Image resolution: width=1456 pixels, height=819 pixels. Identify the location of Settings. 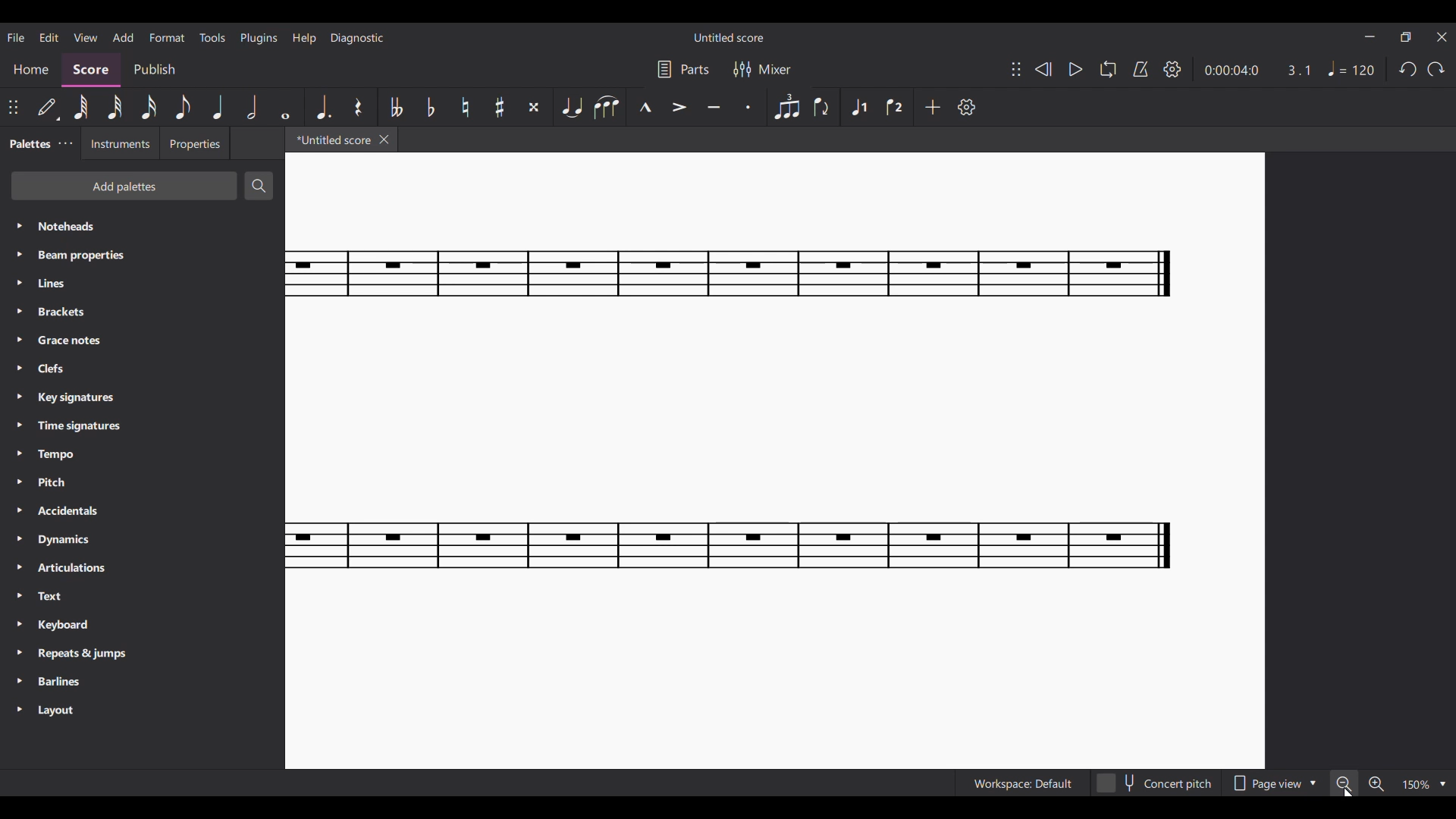
(967, 107).